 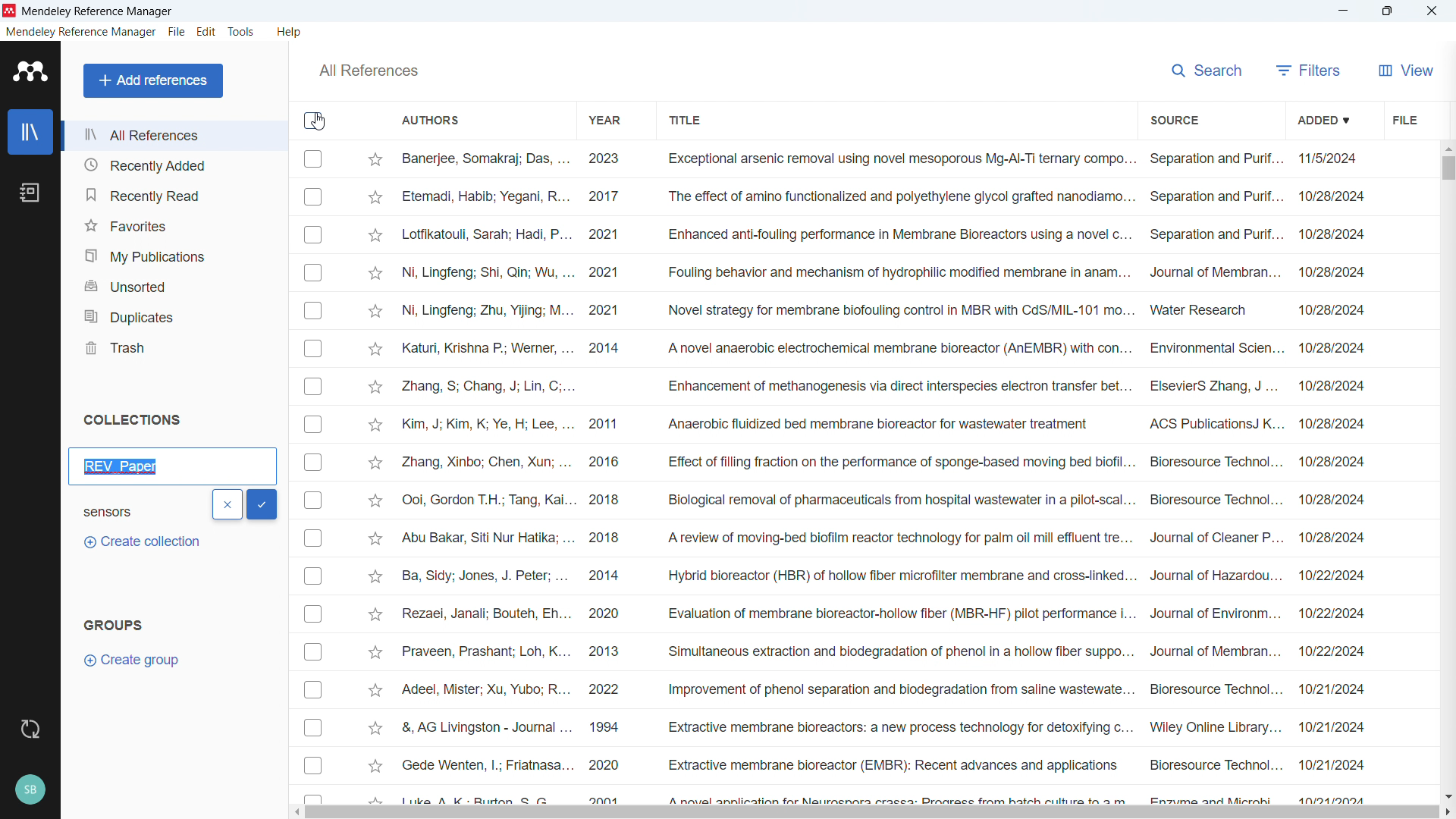 I want to click on Scroll down , so click(x=1447, y=795).